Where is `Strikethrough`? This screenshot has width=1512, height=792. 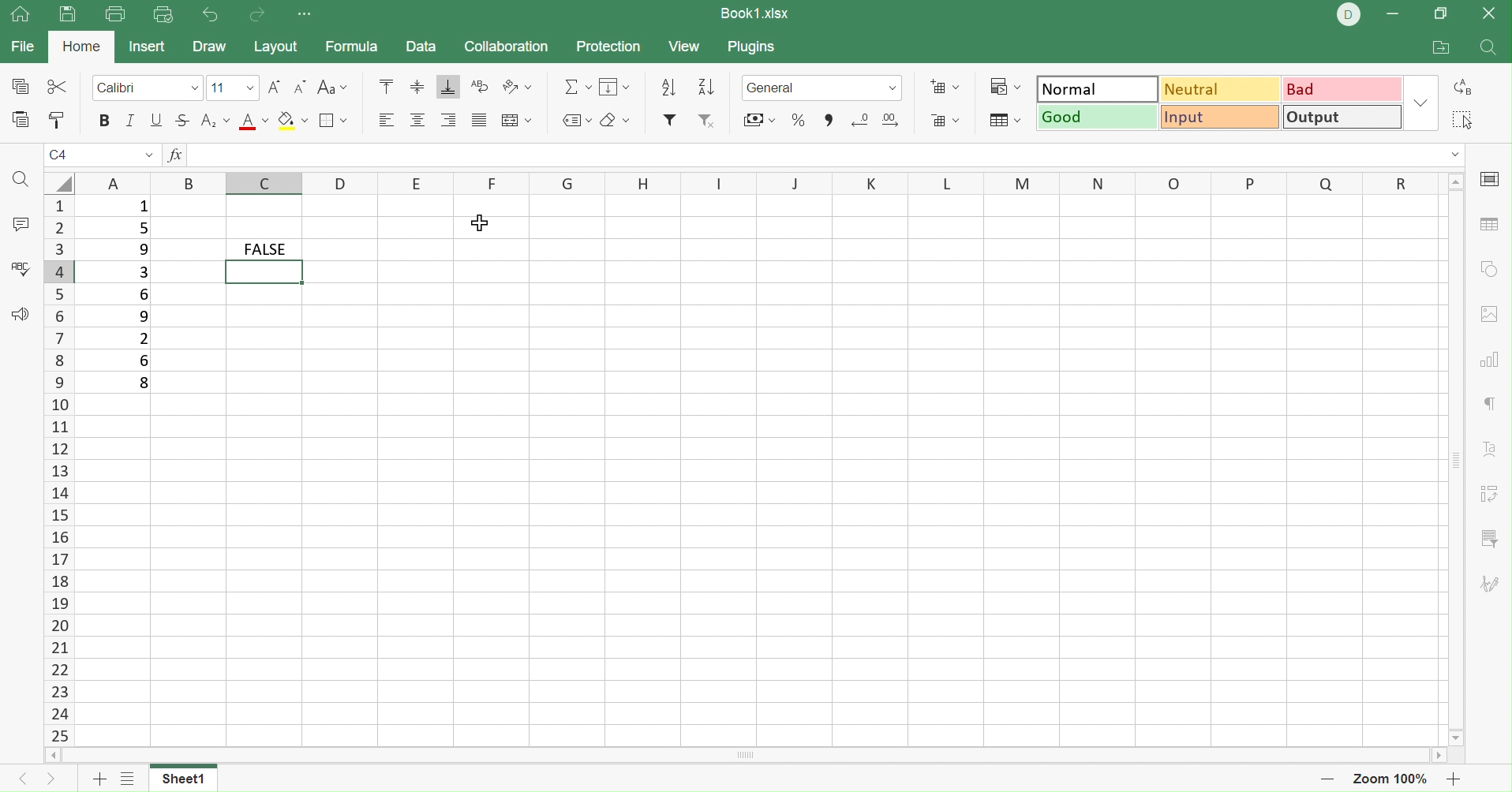
Strikethrough is located at coordinates (182, 120).